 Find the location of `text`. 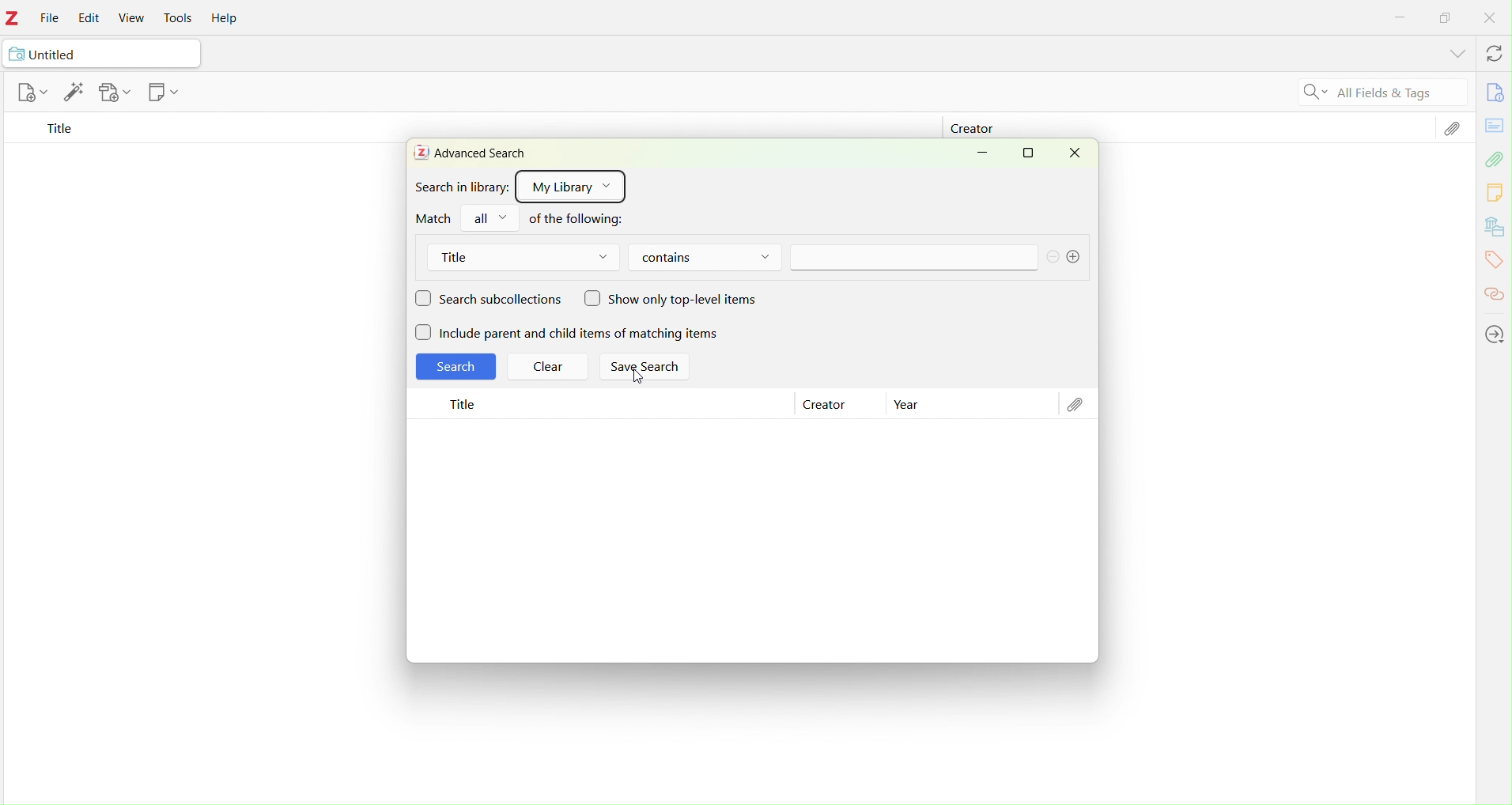

text is located at coordinates (909, 259).